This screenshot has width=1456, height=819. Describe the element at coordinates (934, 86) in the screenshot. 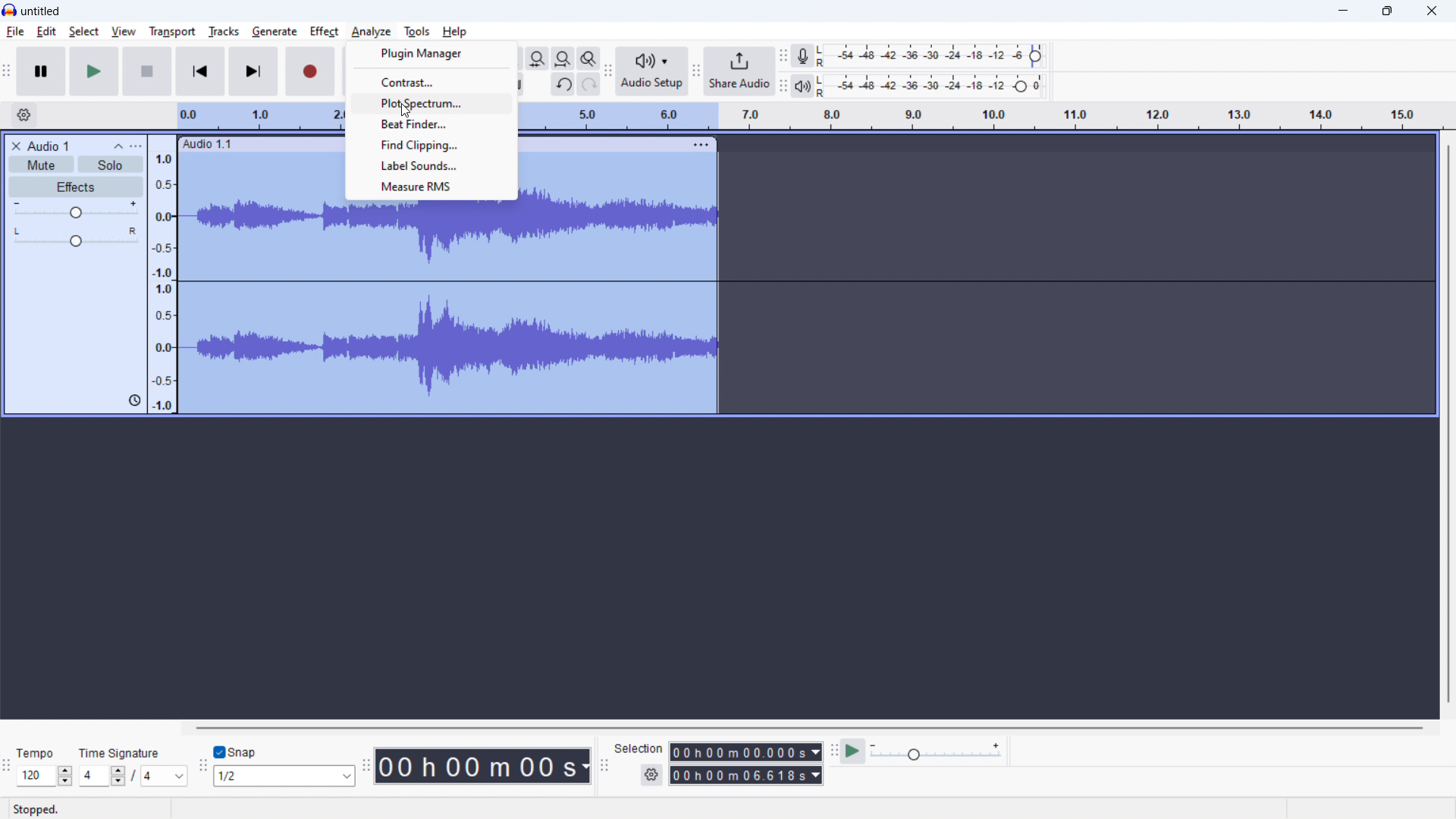

I see `playback level` at that location.